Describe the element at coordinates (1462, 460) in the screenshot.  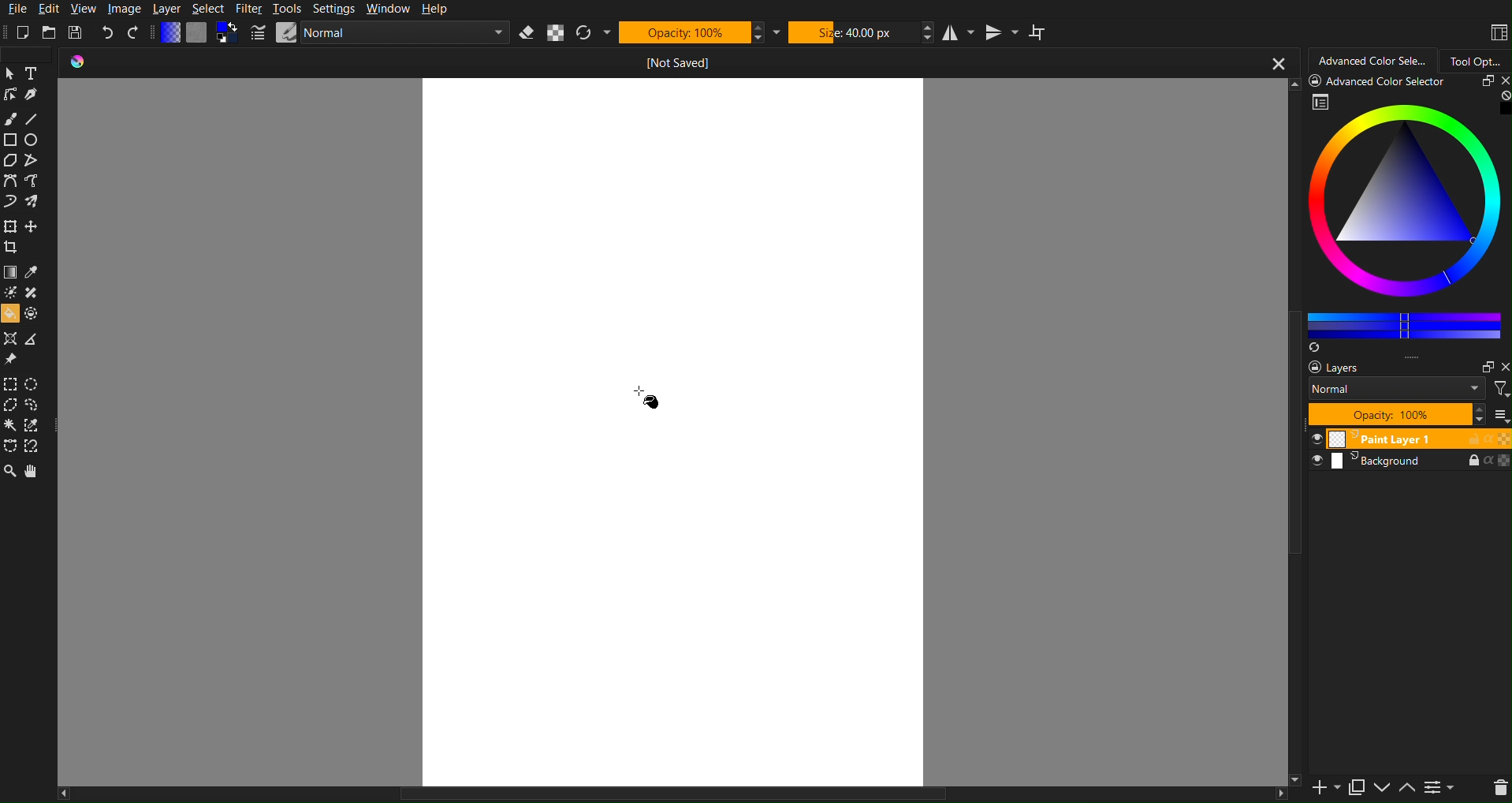
I see `lock` at that location.